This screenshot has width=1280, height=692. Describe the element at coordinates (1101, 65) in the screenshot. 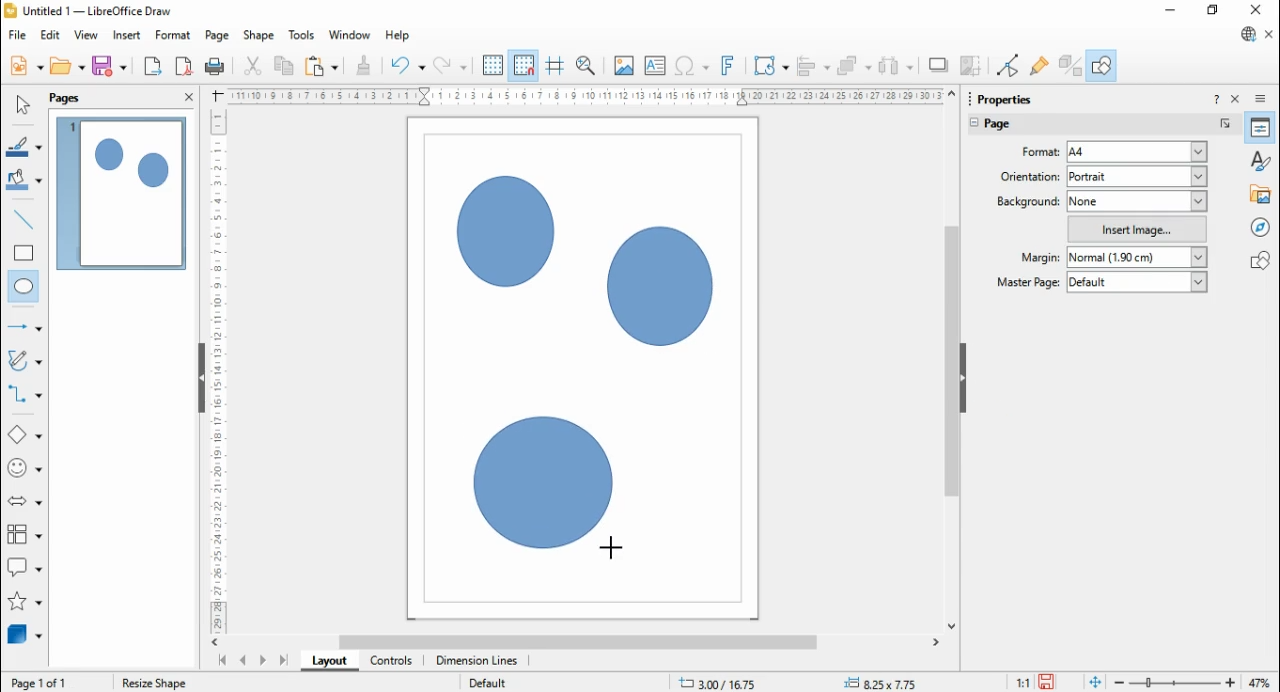

I see `show draw functions` at that location.